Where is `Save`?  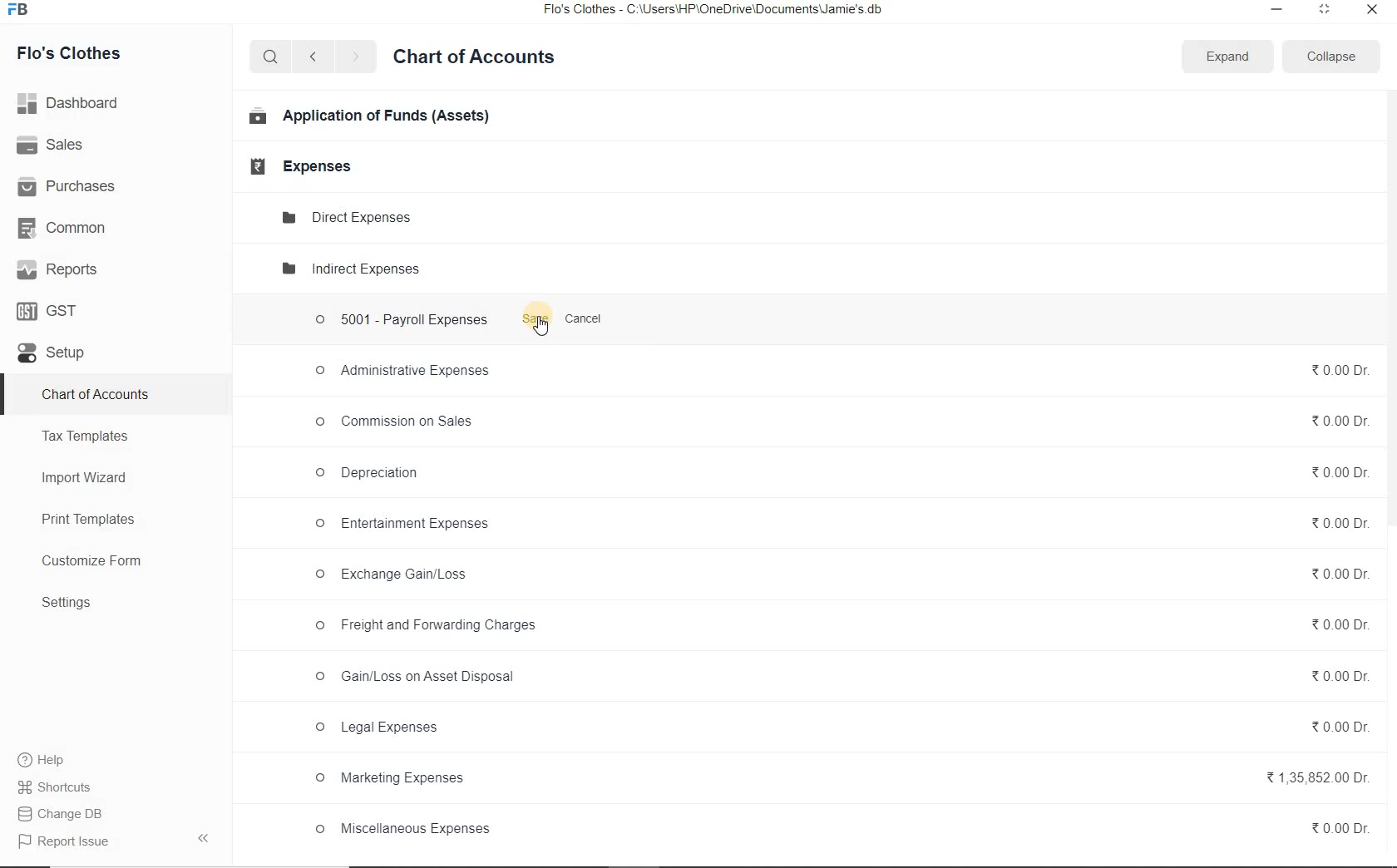
Save is located at coordinates (532, 321).